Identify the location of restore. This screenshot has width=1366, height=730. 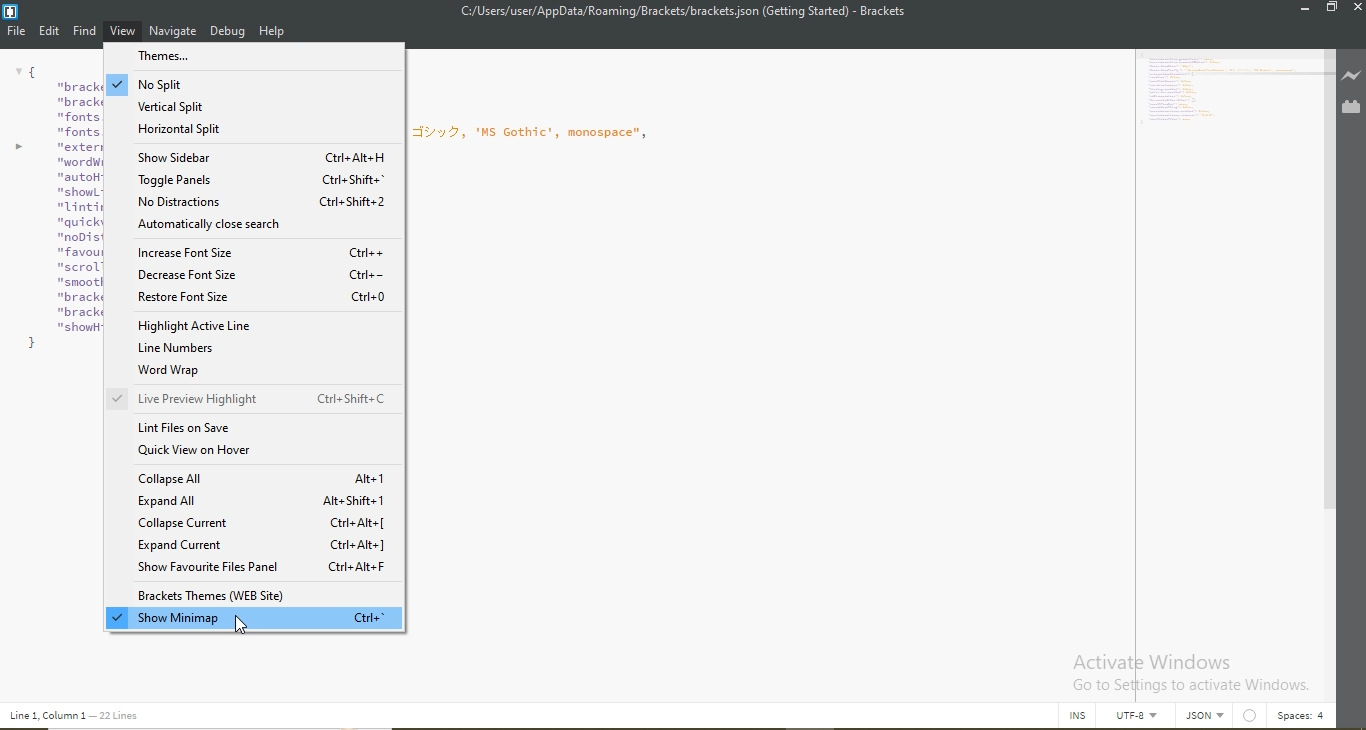
(1332, 9).